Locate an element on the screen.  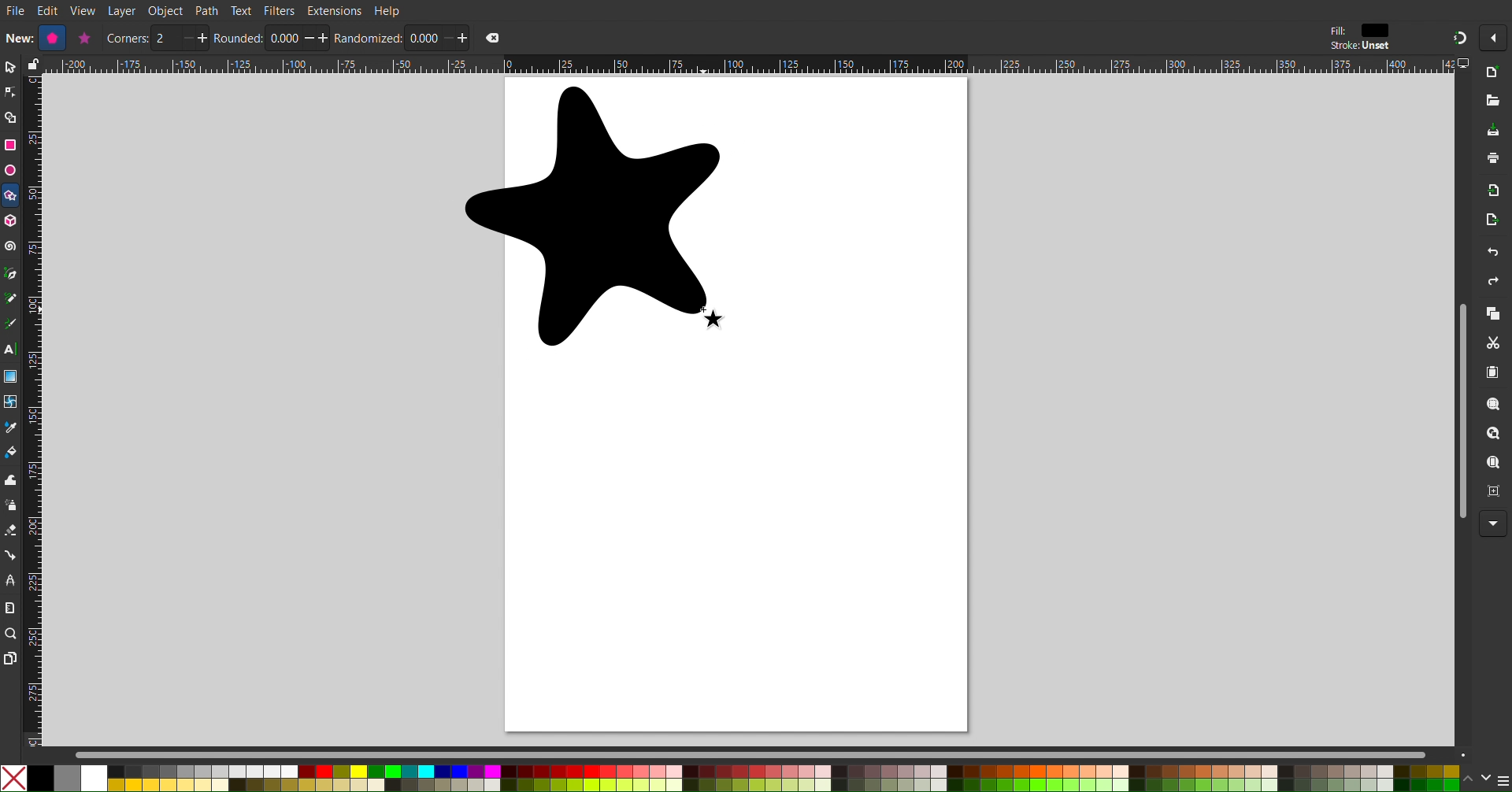
Scrollbar is located at coordinates (773, 754).